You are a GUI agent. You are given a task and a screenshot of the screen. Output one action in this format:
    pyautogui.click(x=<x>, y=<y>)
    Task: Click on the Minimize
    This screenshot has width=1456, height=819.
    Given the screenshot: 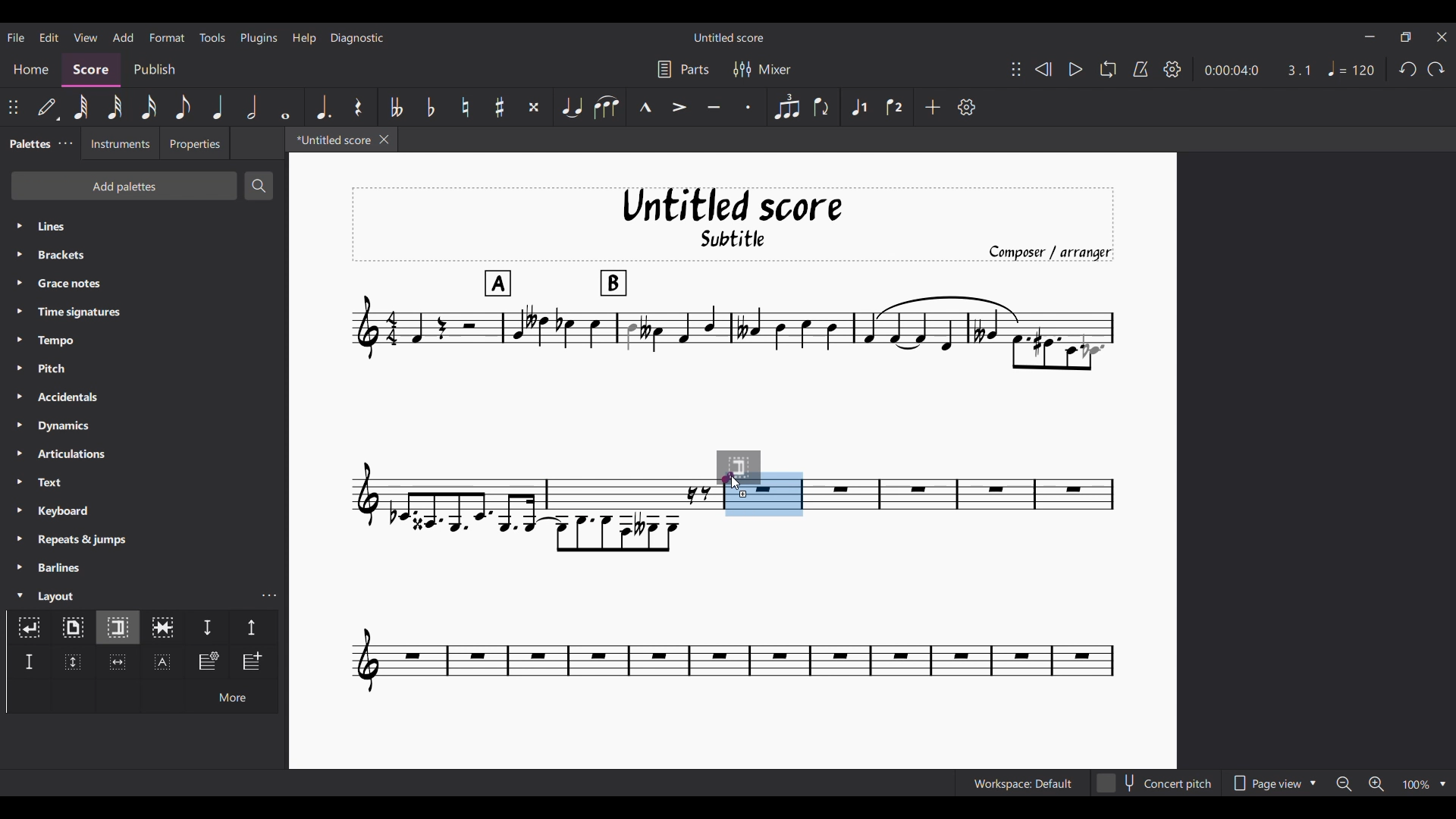 What is the action you would take?
    pyautogui.click(x=1370, y=36)
    